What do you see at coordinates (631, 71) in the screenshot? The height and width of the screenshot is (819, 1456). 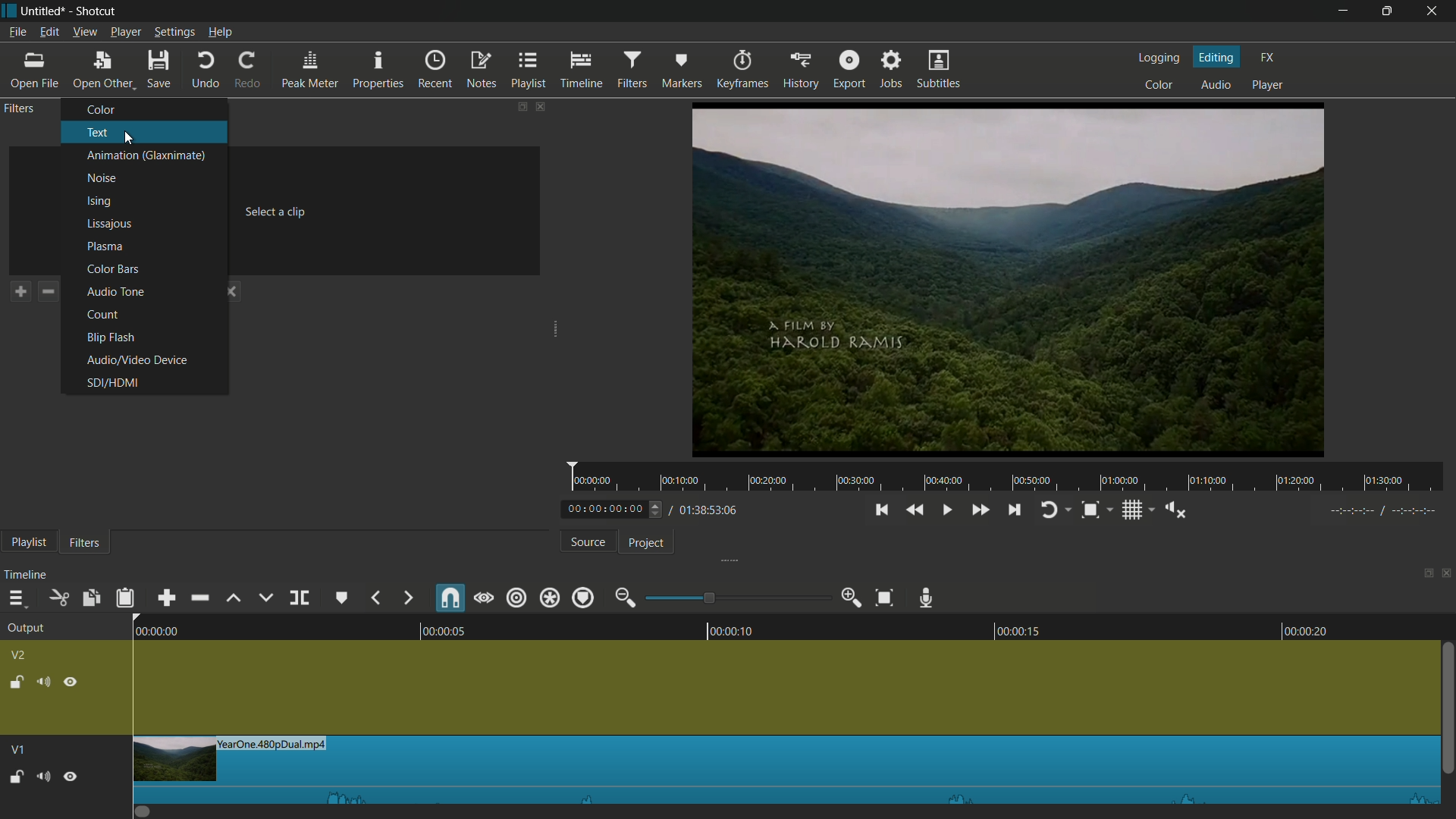 I see `filters` at bounding box center [631, 71].